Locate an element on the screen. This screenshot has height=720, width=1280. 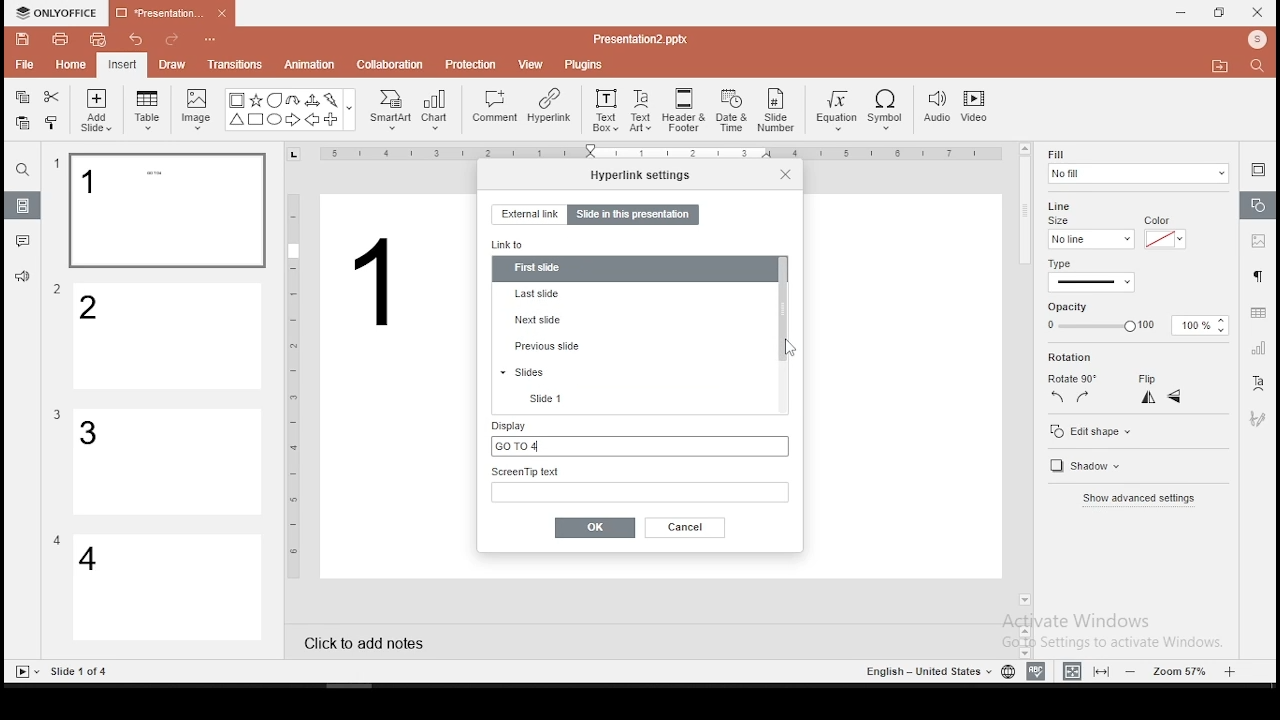
equation is located at coordinates (835, 111).